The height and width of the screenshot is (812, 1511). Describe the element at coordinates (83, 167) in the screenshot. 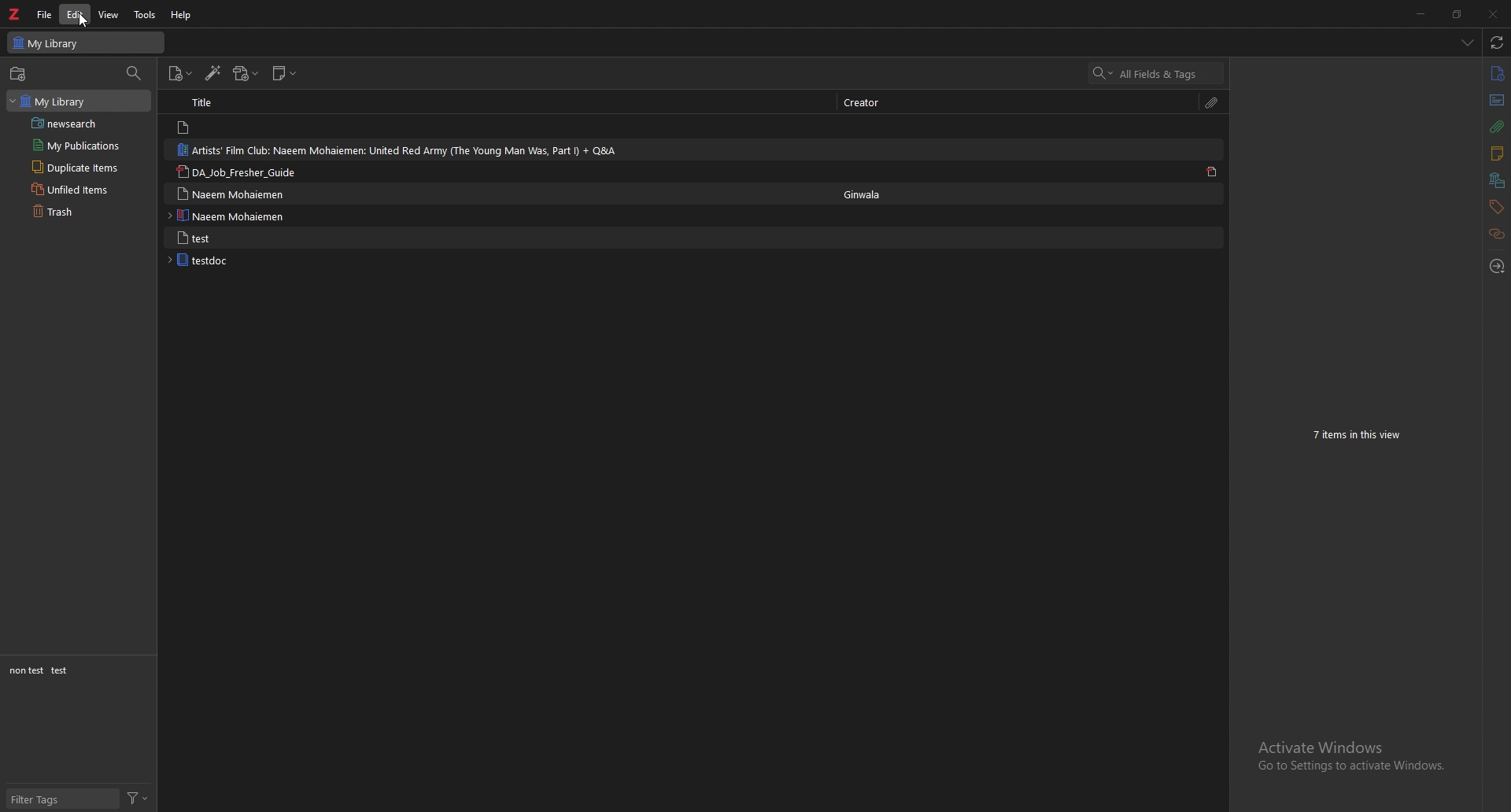

I see `duplicate items` at that location.